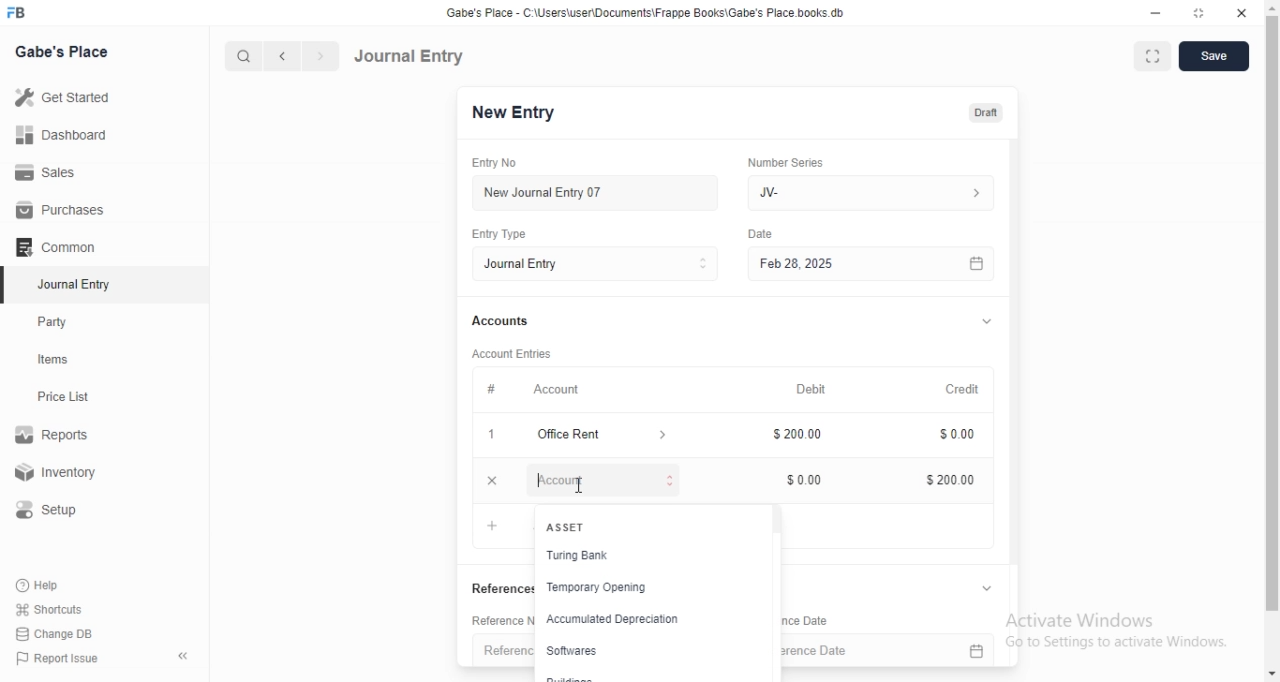 This screenshot has width=1280, height=682. What do you see at coordinates (61, 210) in the screenshot?
I see `Purchases` at bounding box center [61, 210].